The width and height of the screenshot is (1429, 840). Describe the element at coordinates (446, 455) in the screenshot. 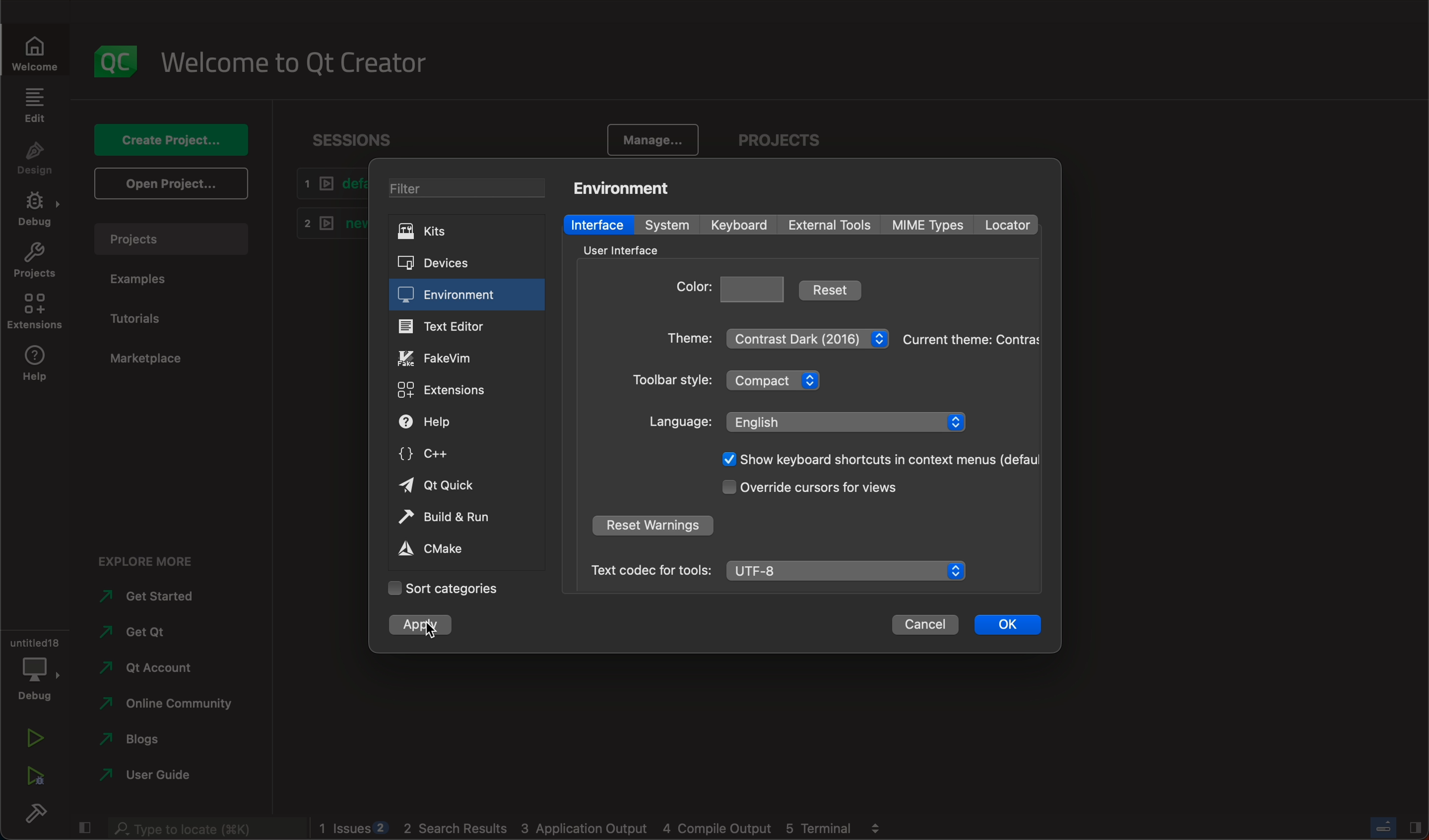

I see `c++` at that location.